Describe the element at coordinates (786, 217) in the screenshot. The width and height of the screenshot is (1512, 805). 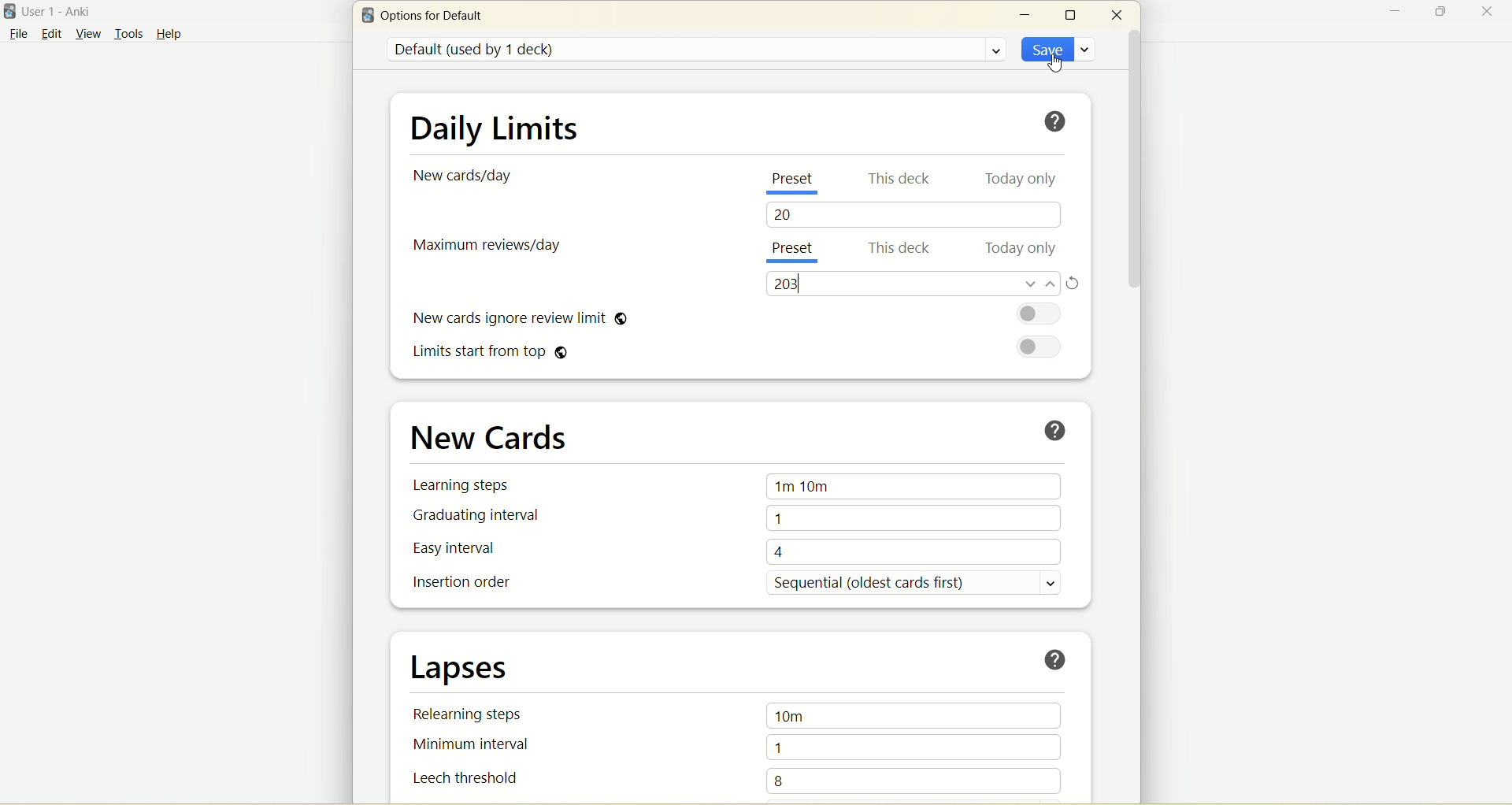
I see `20` at that location.